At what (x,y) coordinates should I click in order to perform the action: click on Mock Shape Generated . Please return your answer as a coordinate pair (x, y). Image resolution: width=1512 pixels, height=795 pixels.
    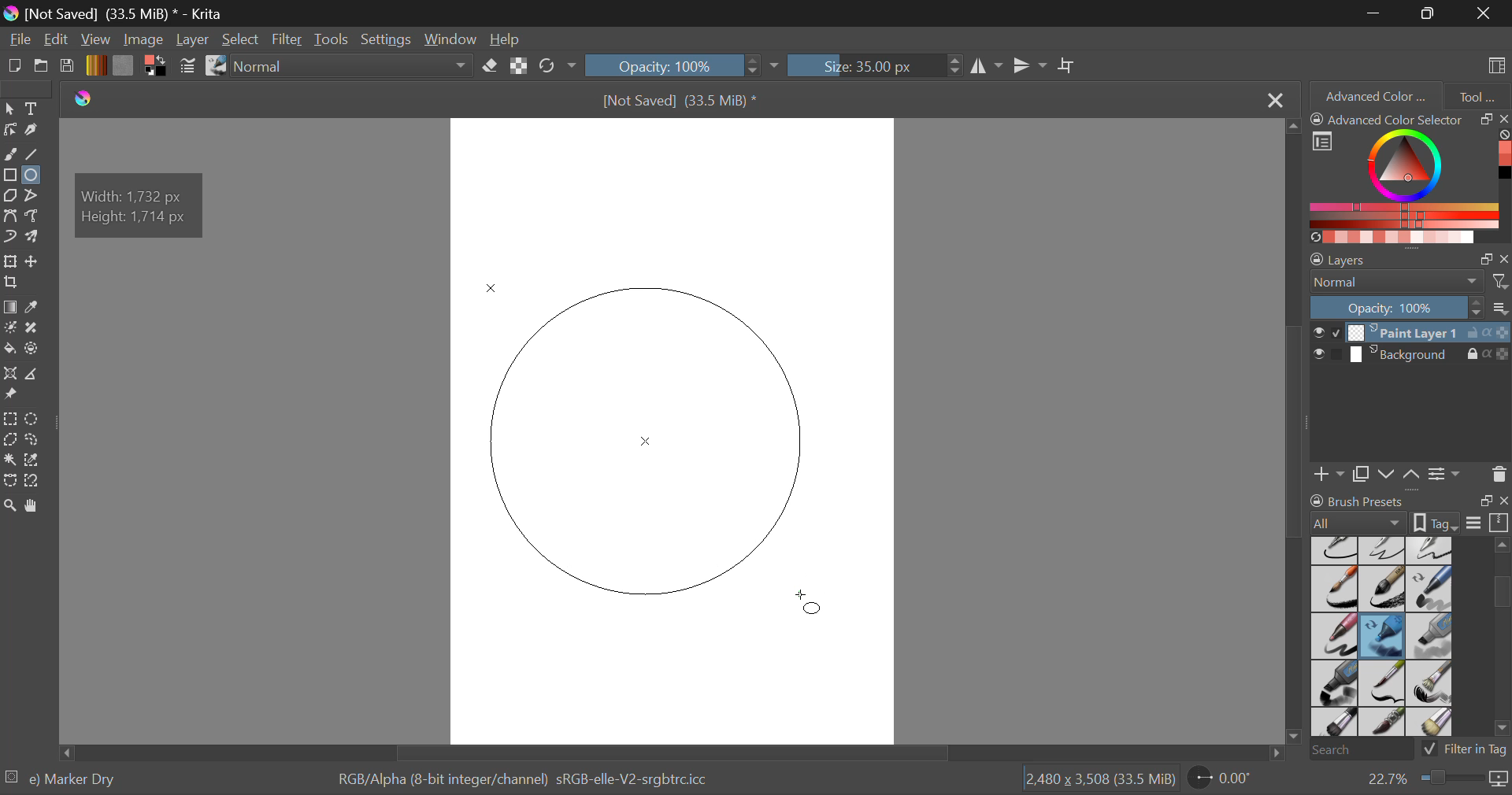
    Looking at the image, I should click on (656, 444).